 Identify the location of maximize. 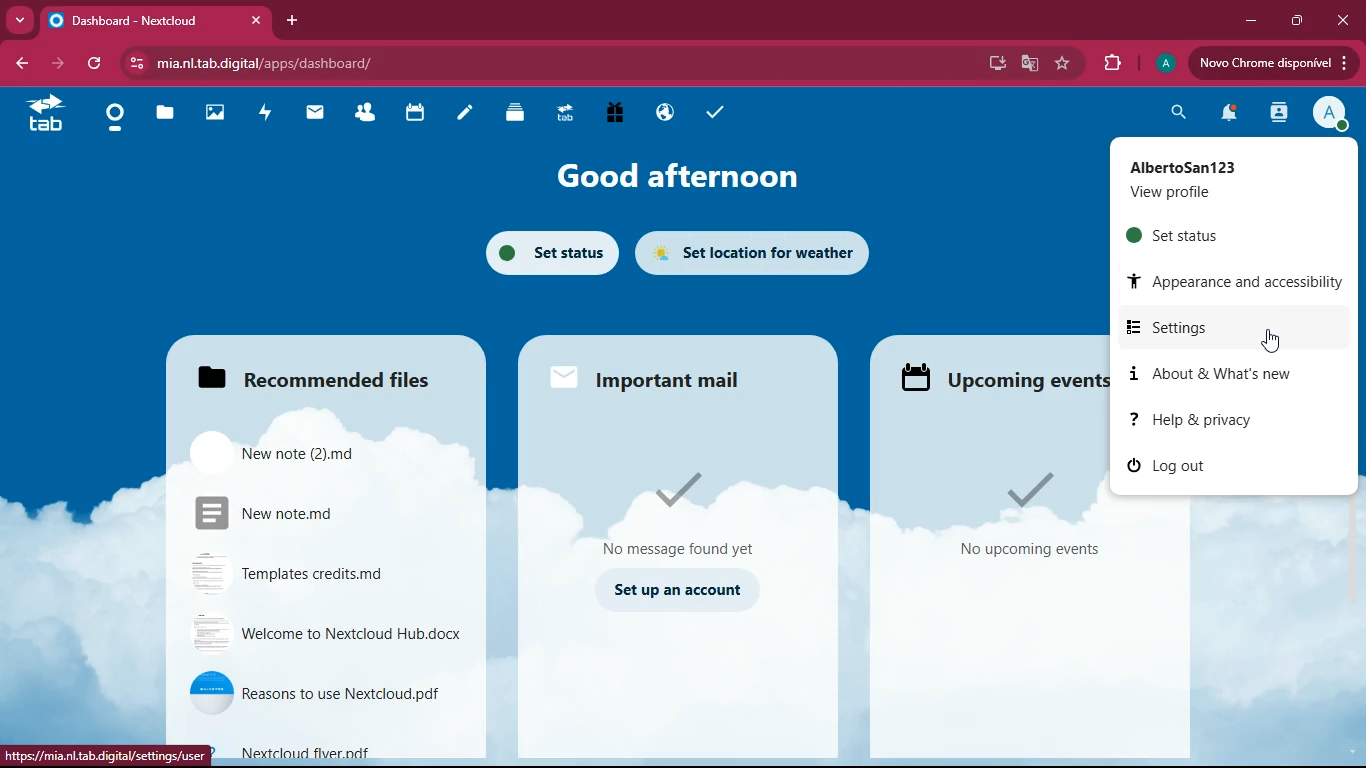
(1299, 21).